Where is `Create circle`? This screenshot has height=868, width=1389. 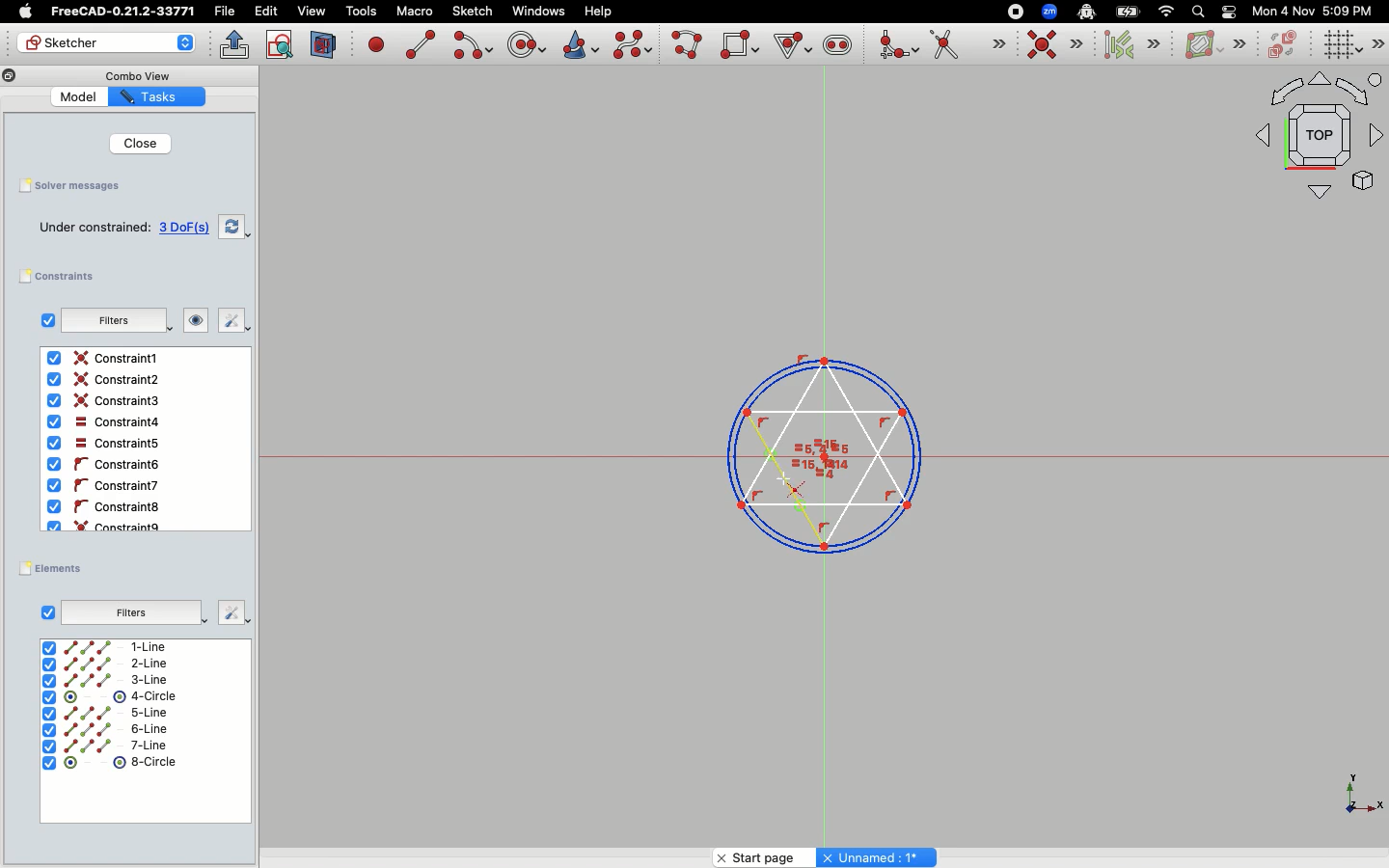 Create circle is located at coordinates (527, 42).